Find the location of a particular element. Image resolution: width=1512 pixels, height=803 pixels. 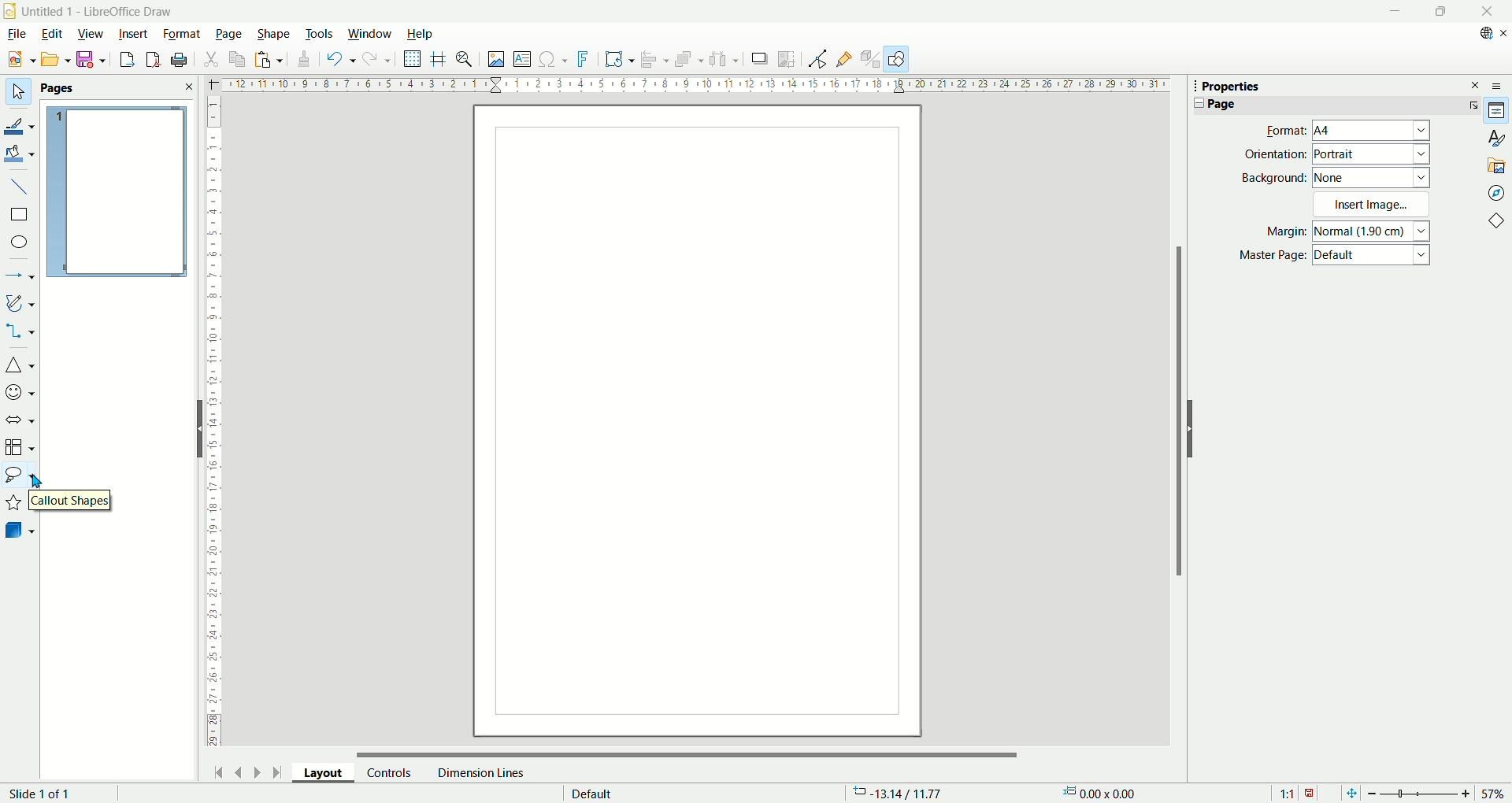

Maximize is located at coordinates (1440, 12).